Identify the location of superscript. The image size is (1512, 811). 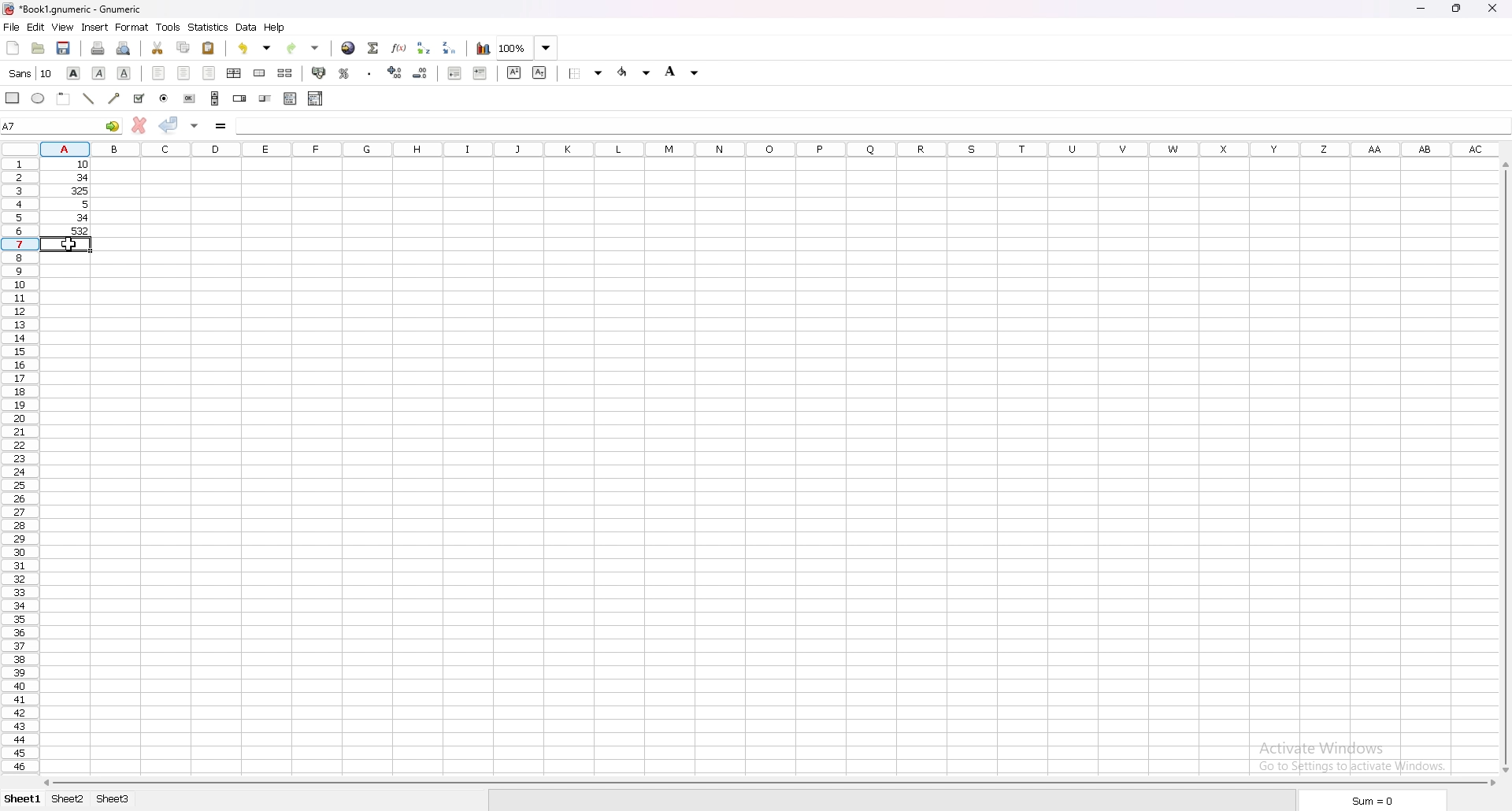
(513, 73).